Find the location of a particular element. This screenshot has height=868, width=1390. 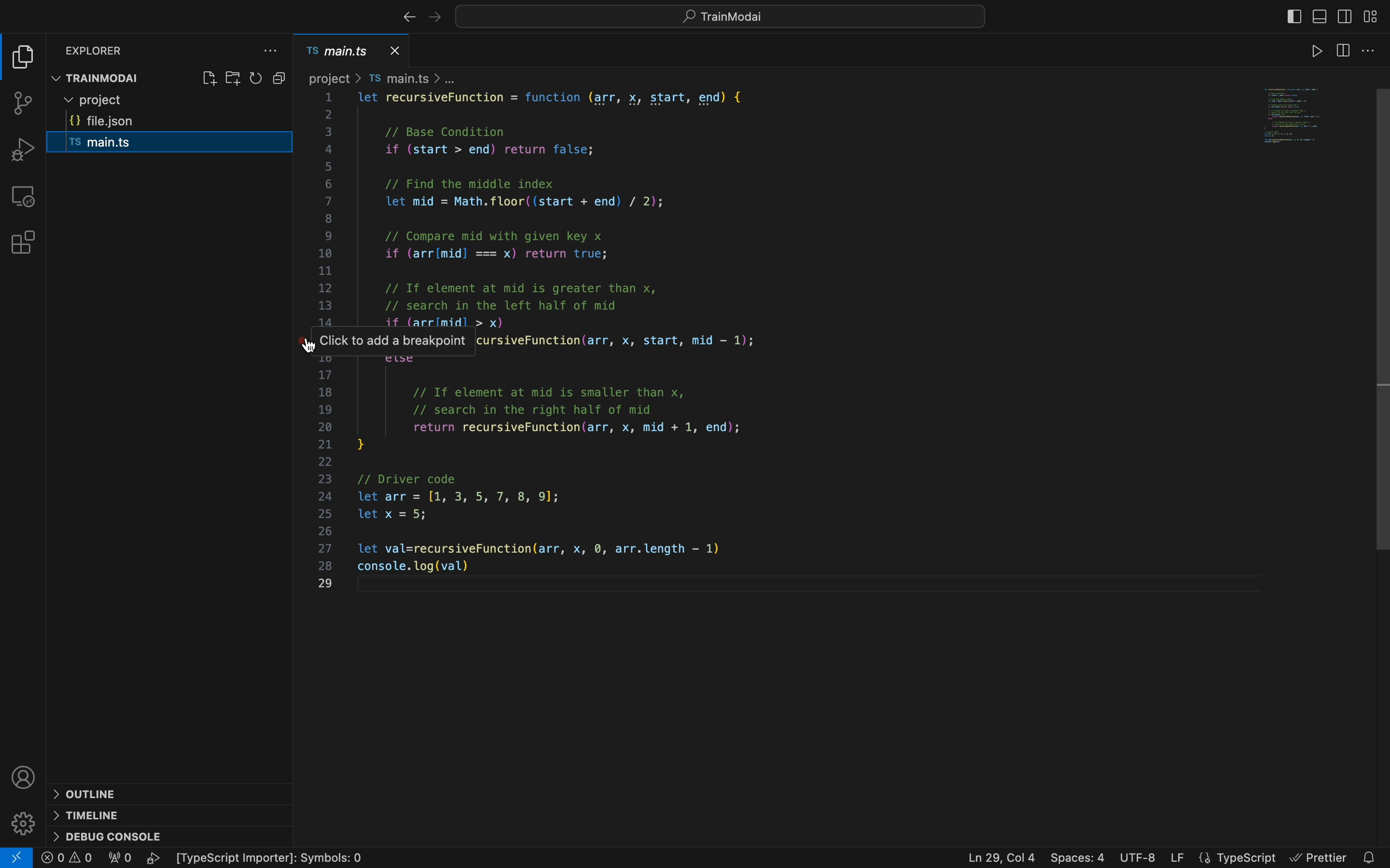

run is located at coordinates (1303, 53).